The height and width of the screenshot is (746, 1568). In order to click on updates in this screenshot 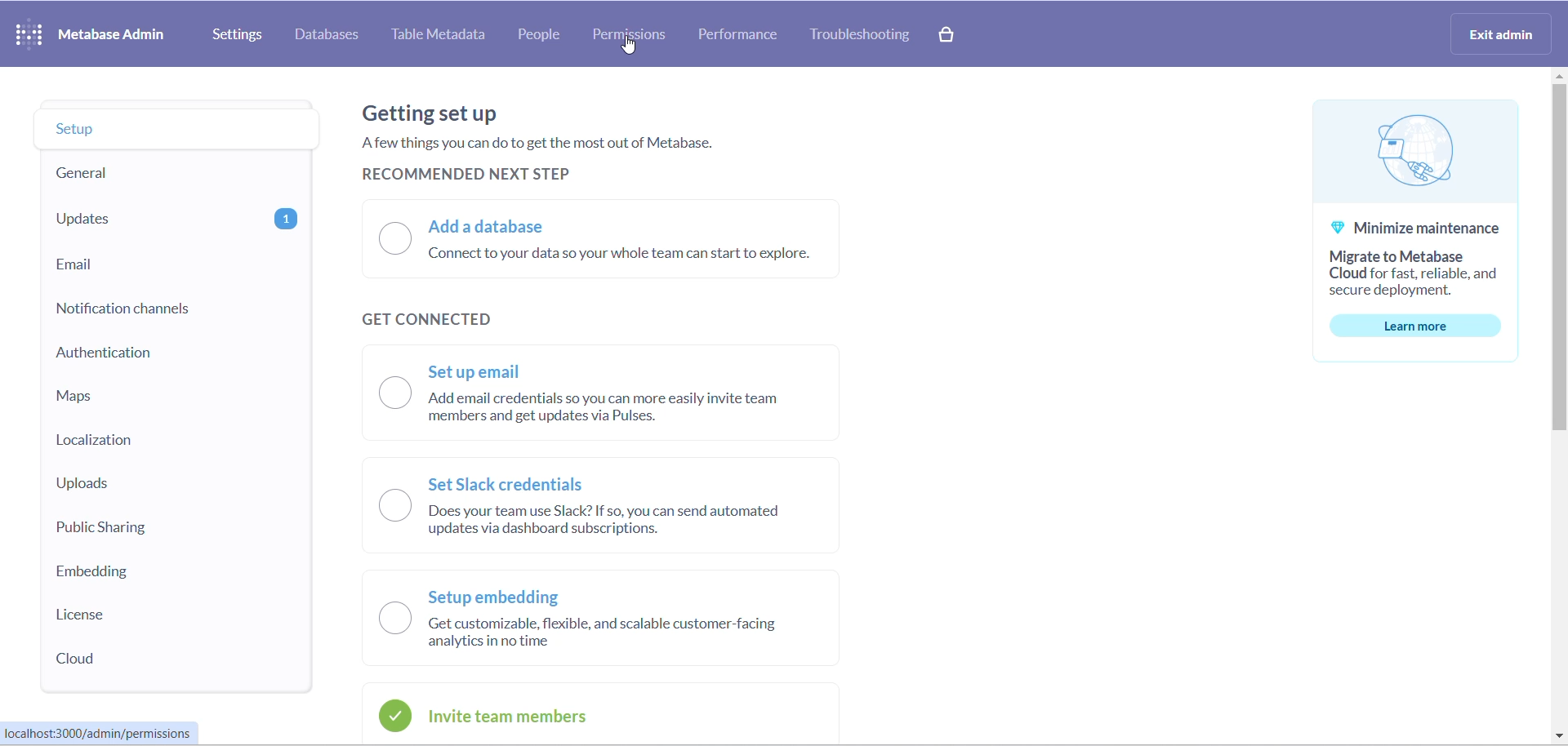, I will do `click(164, 219)`.